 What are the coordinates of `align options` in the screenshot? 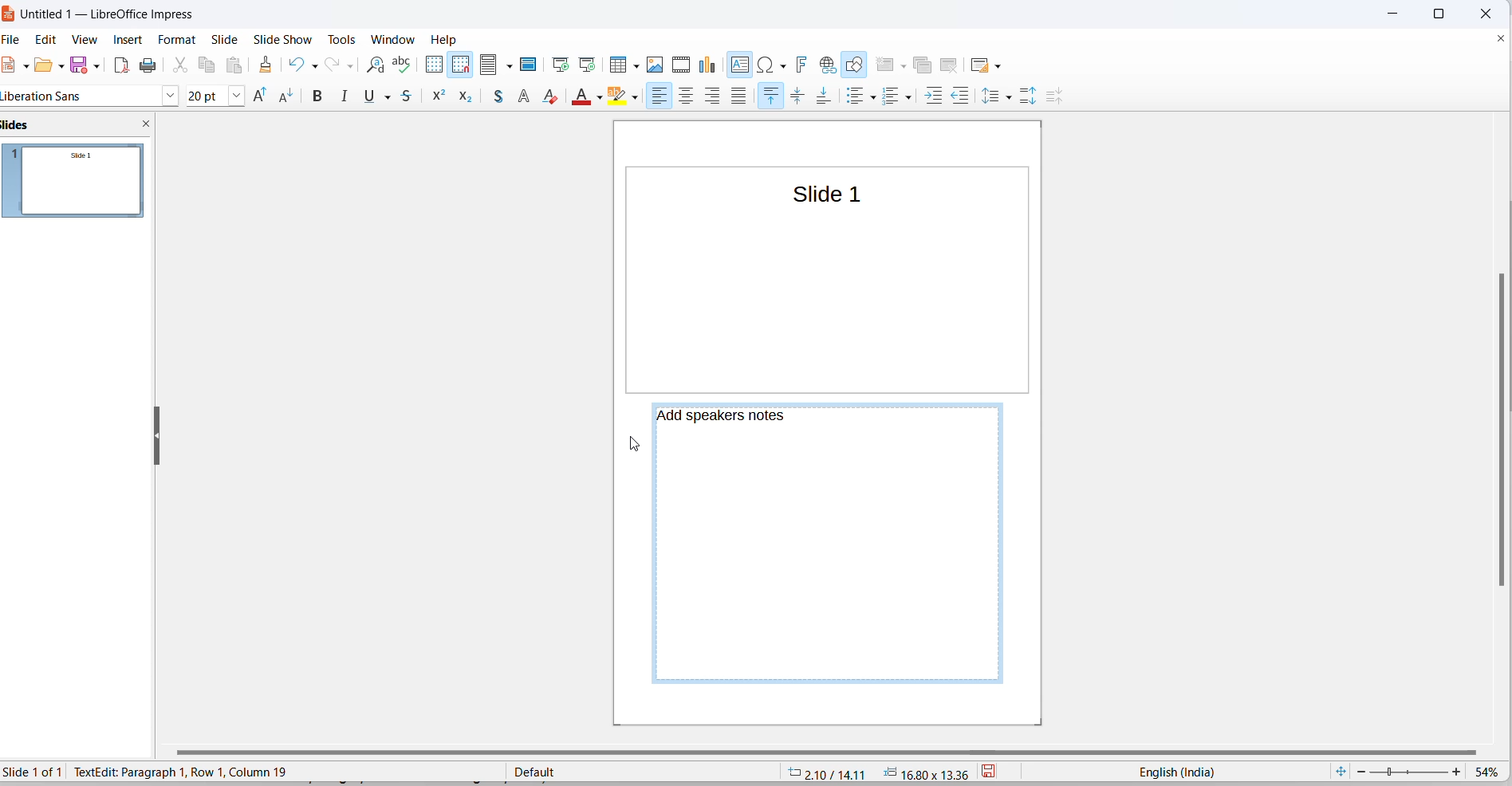 It's located at (636, 99).